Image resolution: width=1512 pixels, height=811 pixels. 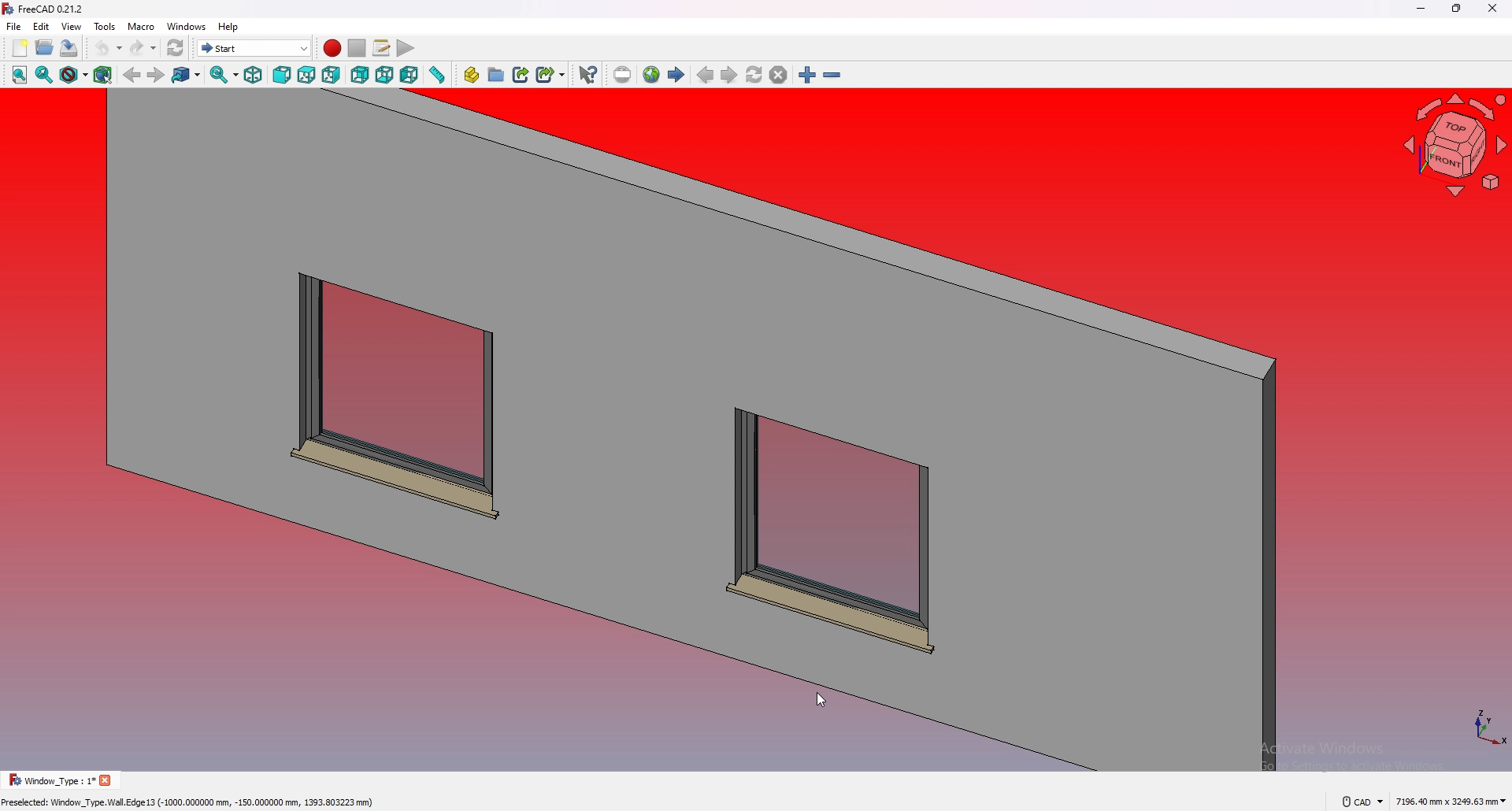 What do you see at coordinates (228, 27) in the screenshot?
I see `help` at bounding box center [228, 27].